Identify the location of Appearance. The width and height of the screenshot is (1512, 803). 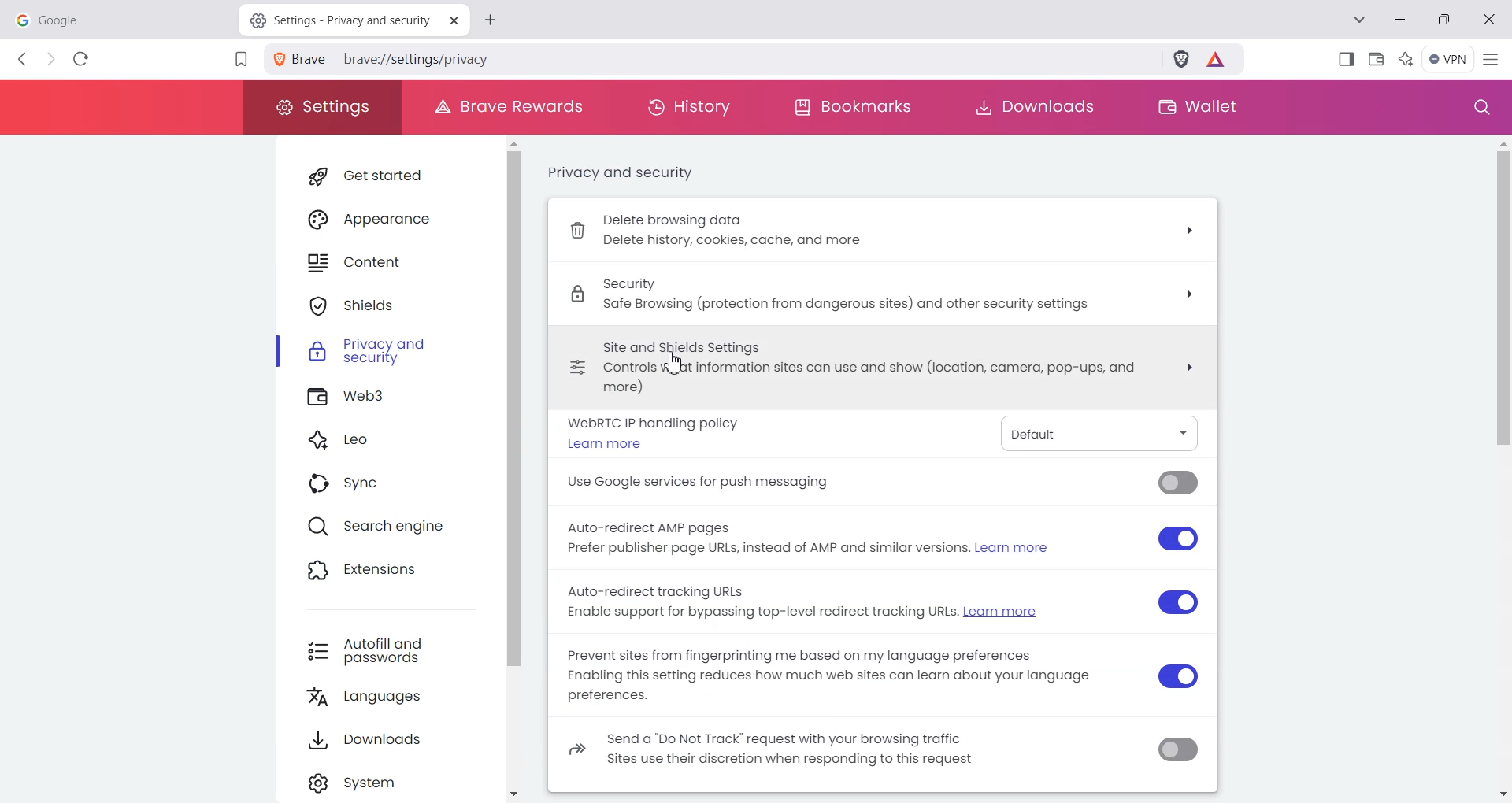
(388, 217).